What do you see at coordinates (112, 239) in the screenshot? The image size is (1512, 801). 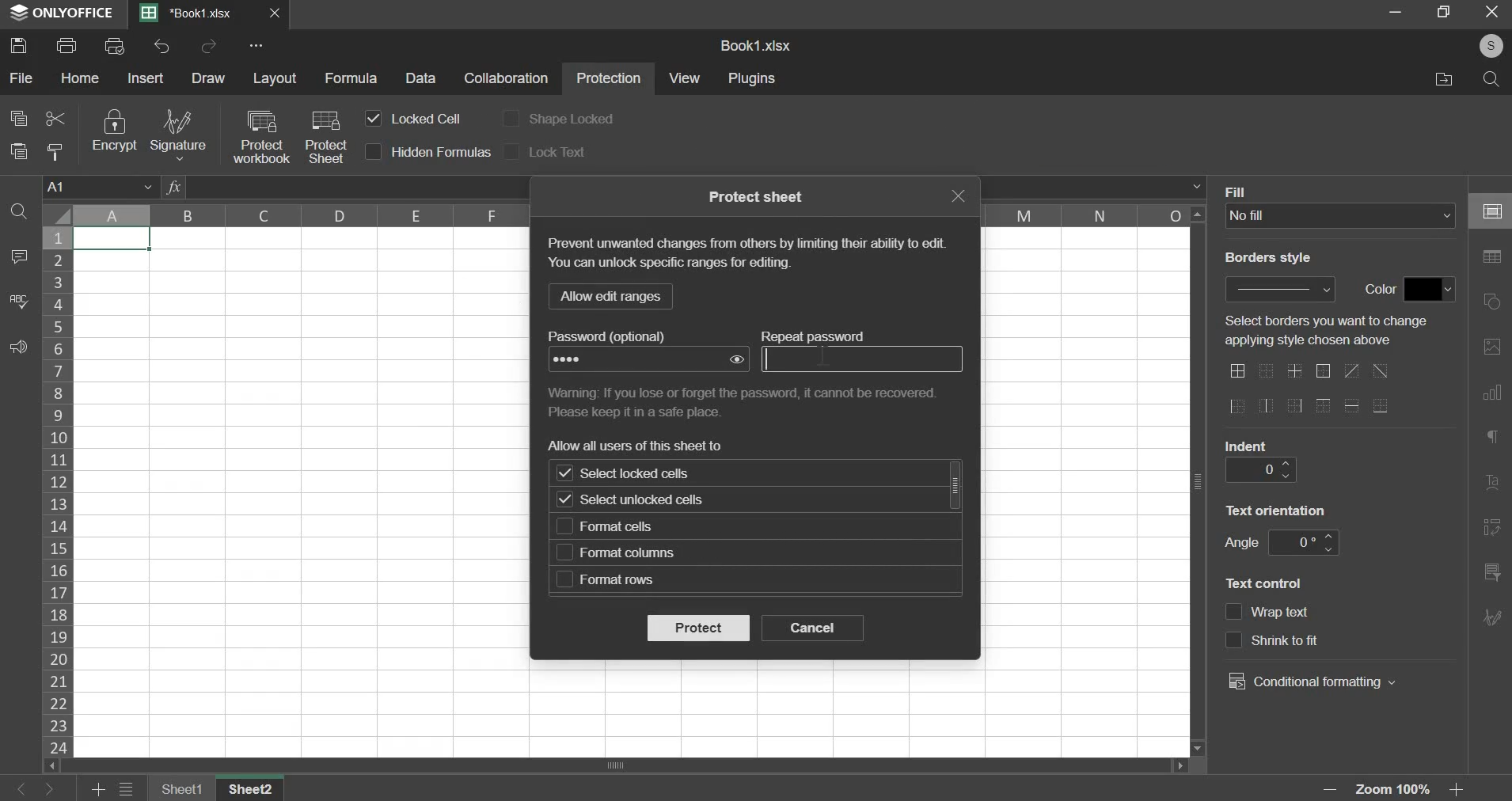 I see `selected cell` at bounding box center [112, 239].